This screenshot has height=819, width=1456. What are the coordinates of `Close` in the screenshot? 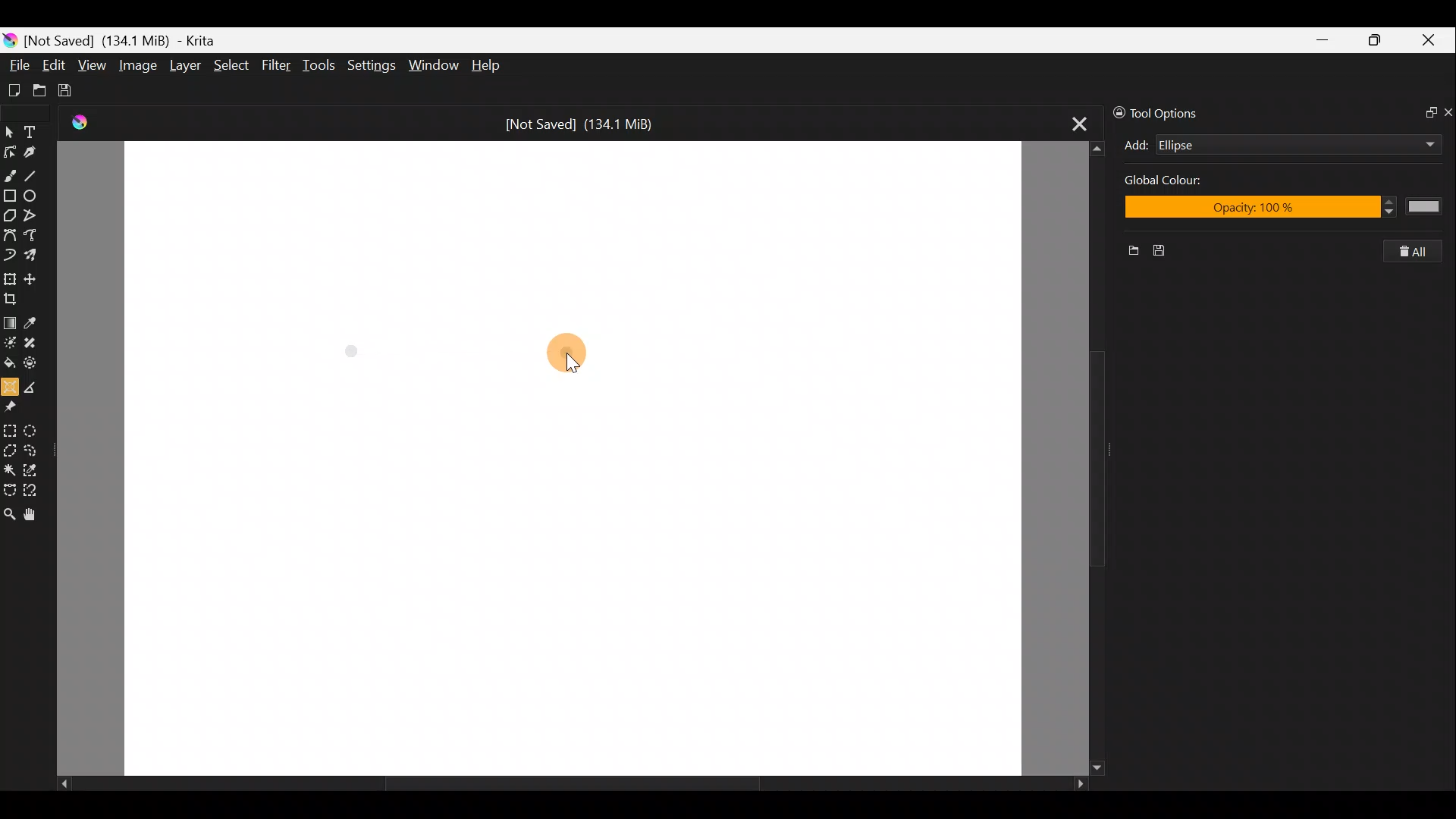 It's located at (1432, 41).